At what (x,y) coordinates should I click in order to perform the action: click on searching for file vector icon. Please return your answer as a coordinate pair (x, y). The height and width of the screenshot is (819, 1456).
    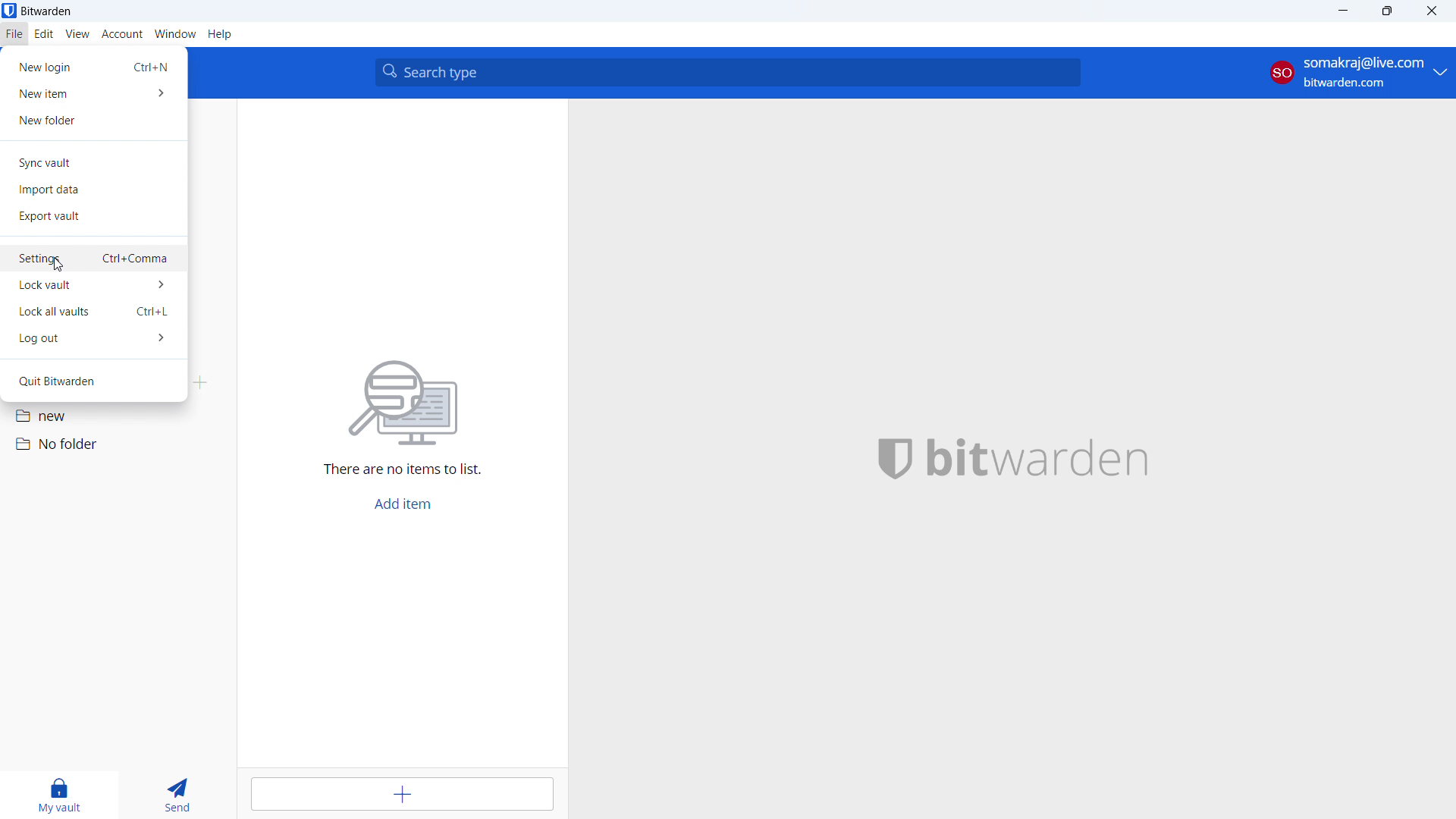
    Looking at the image, I should click on (404, 404).